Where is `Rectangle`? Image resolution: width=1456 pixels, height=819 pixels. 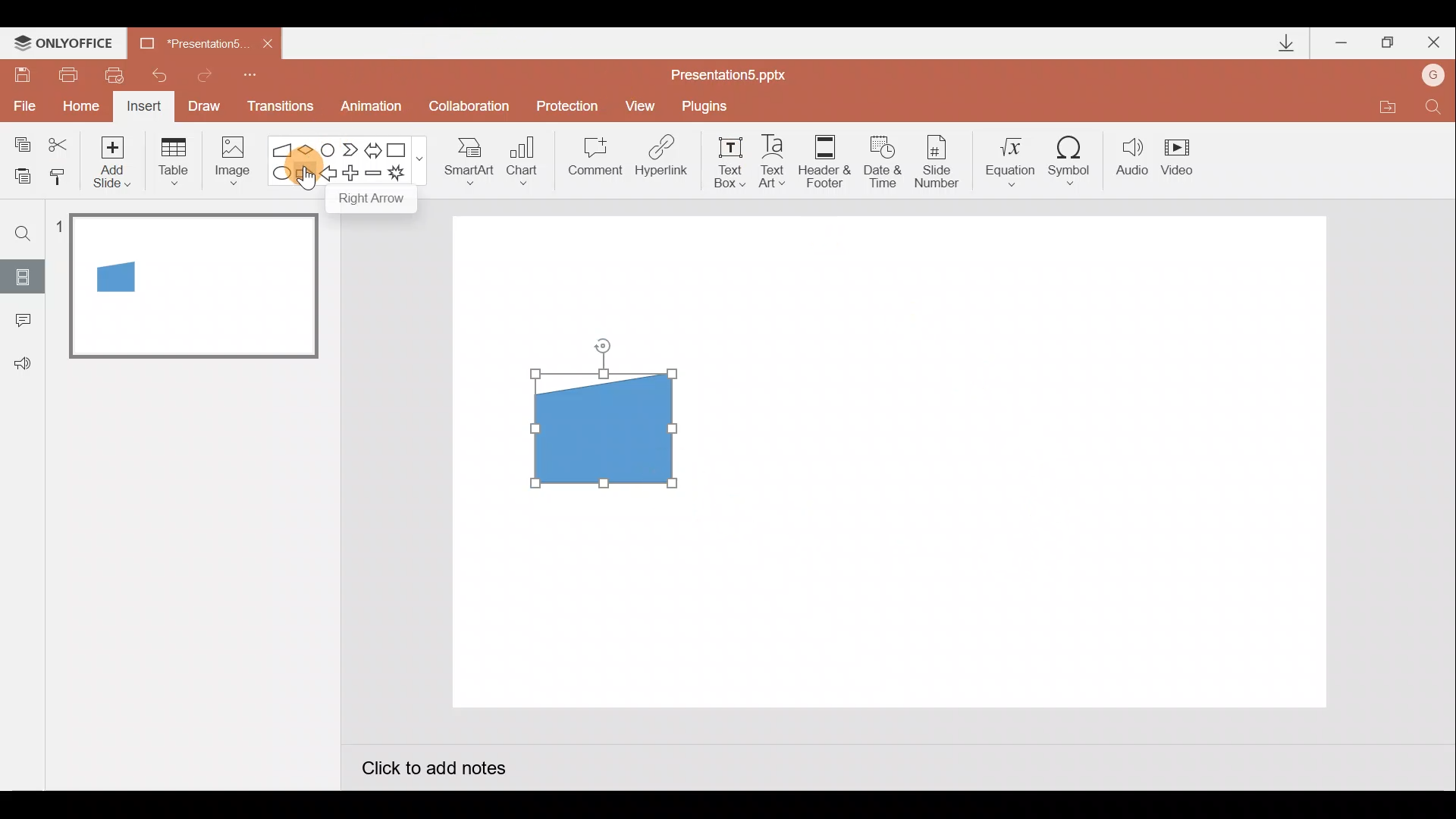
Rectangle is located at coordinates (400, 149).